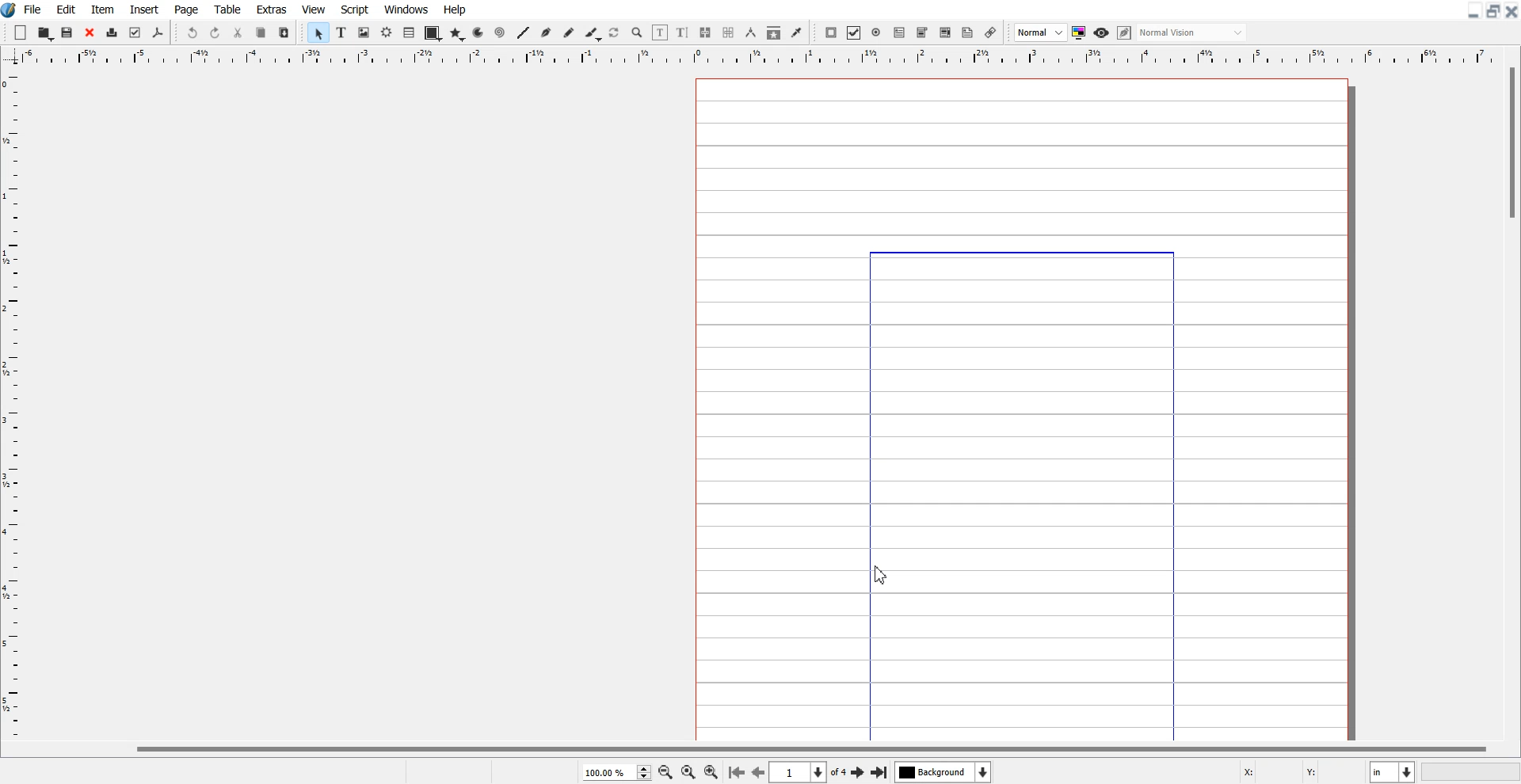 Image resolution: width=1521 pixels, height=784 pixels. Describe the element at coordinates (1470, 10) in the screenshot. I see `Minimize` at that location.